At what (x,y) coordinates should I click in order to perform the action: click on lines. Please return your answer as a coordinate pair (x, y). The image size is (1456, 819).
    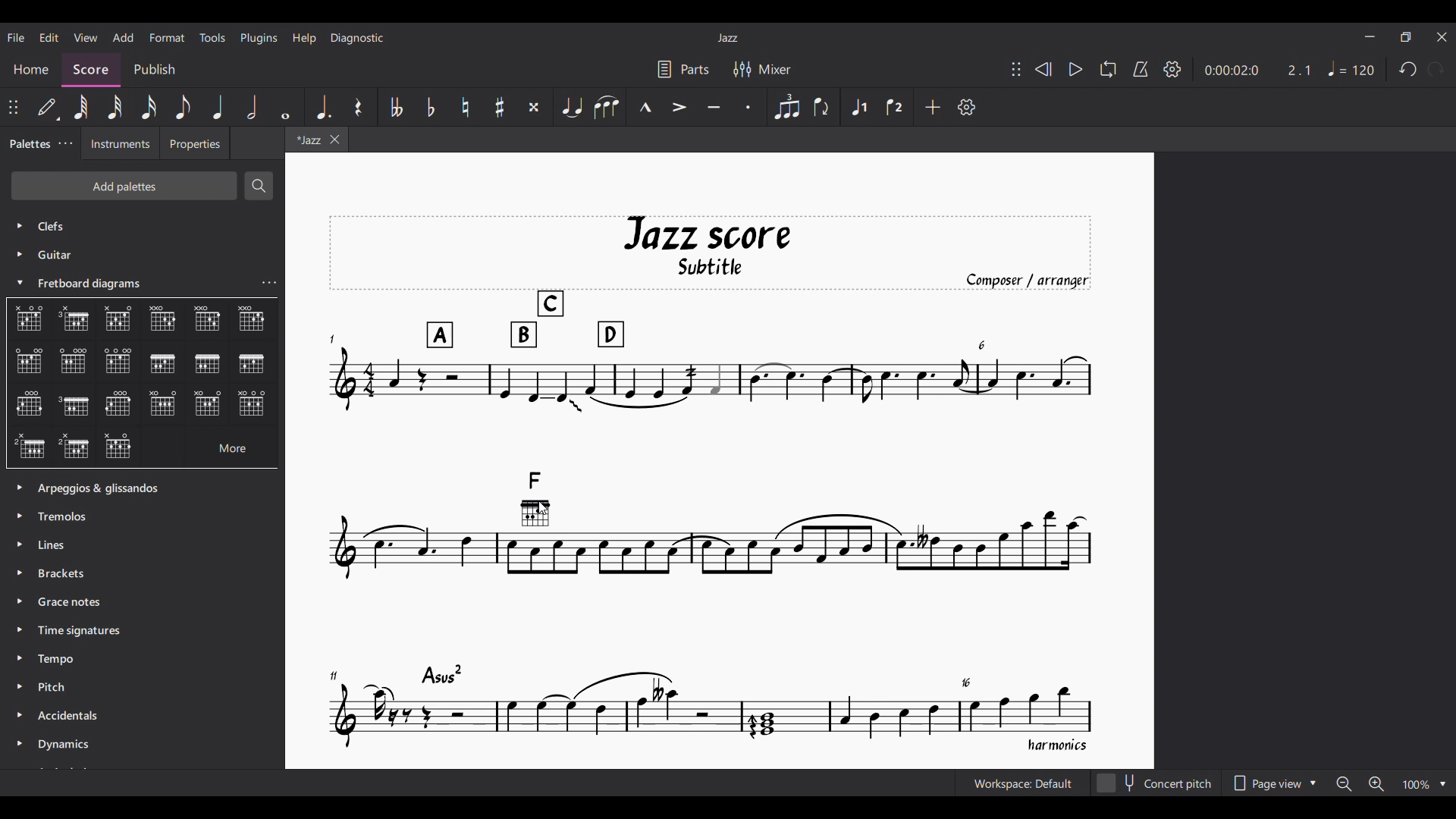
    Looking at the image, I should click on (56, 545).